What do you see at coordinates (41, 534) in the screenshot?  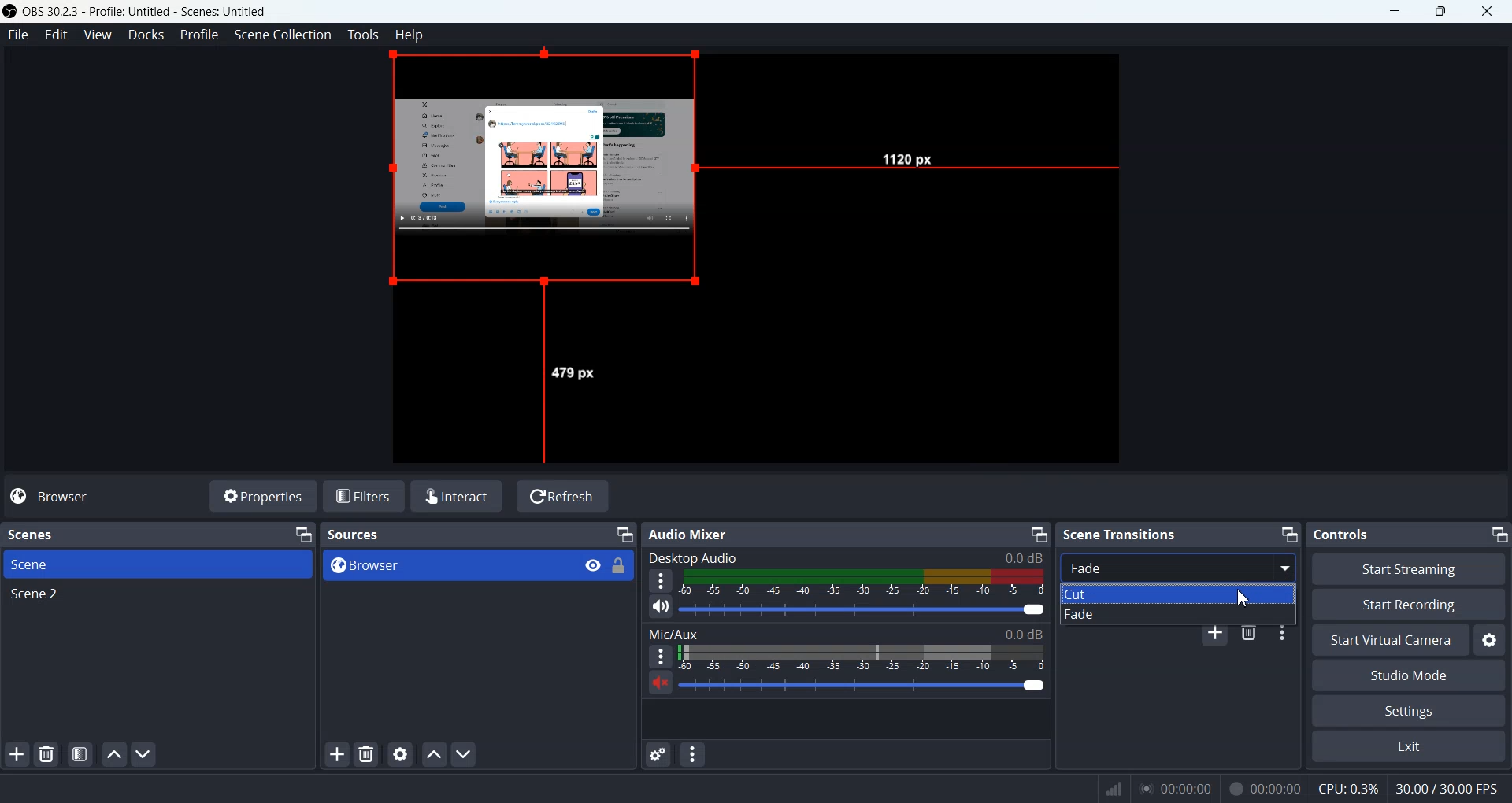 I see `Text` at bounding box center [41, 534].